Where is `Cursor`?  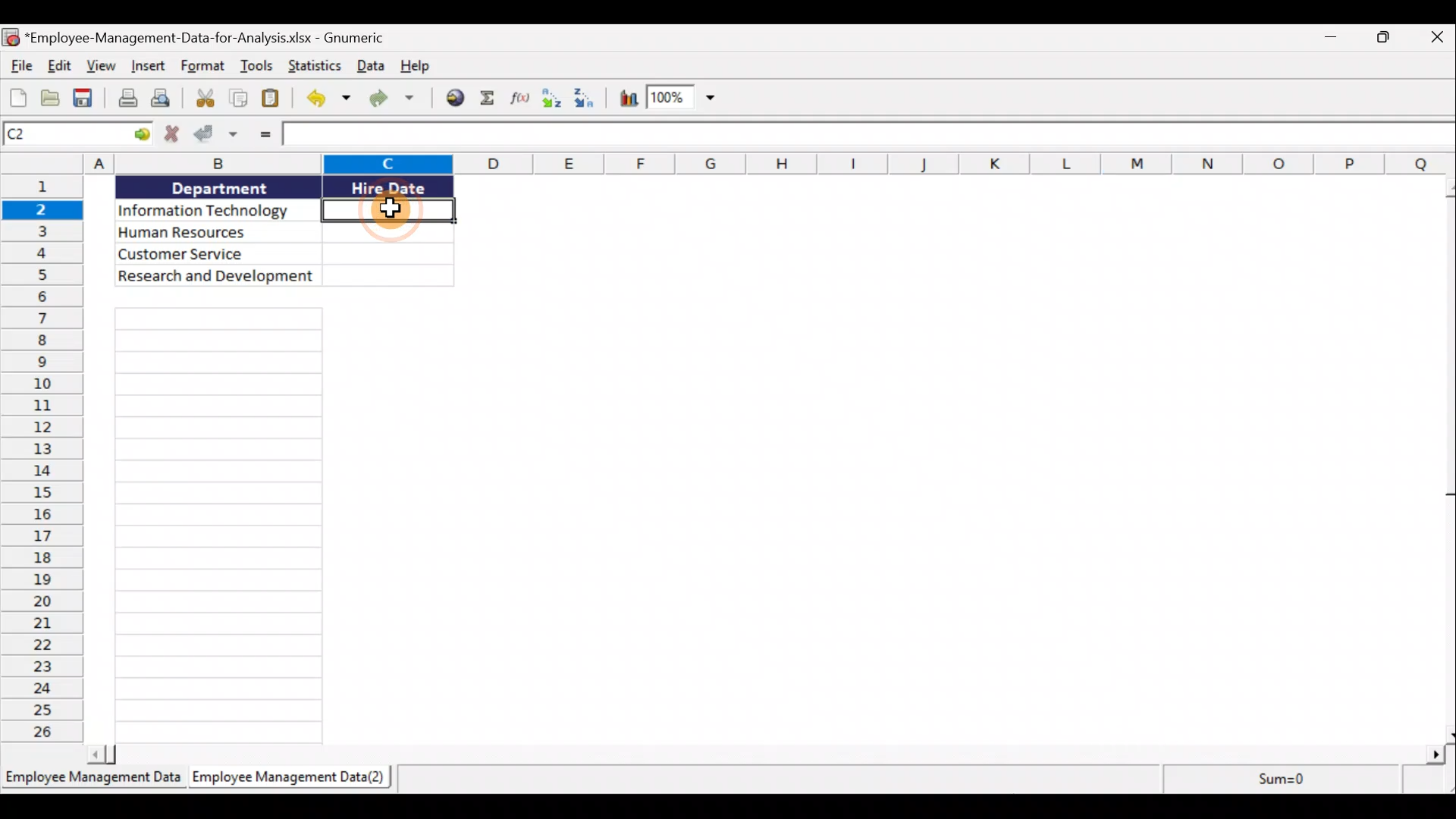 Cursor is located at coordinates (389, 207).